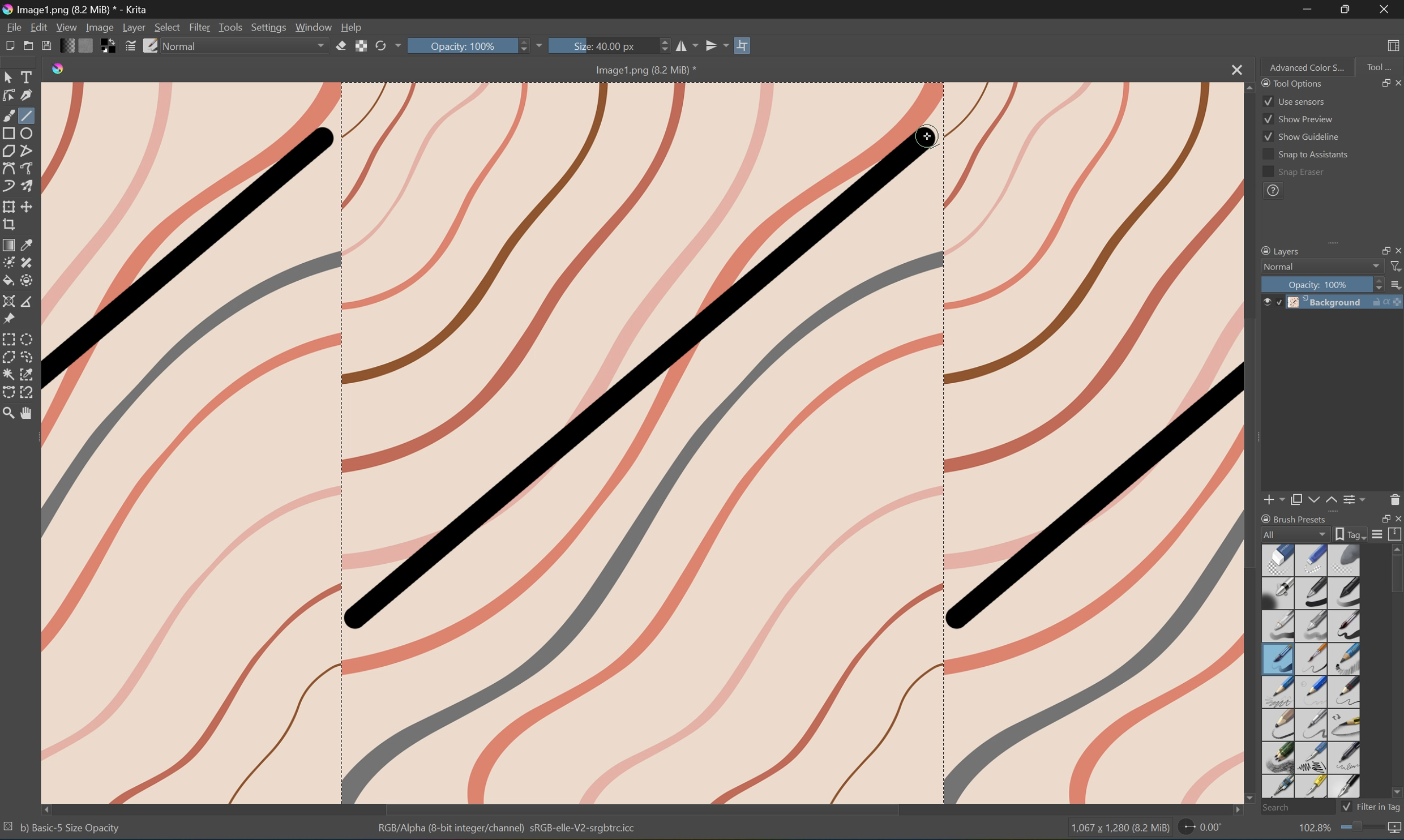 The height and width of the screenshot is (840, 1404). I want to click on Select shapes tools, so click(10, 76).